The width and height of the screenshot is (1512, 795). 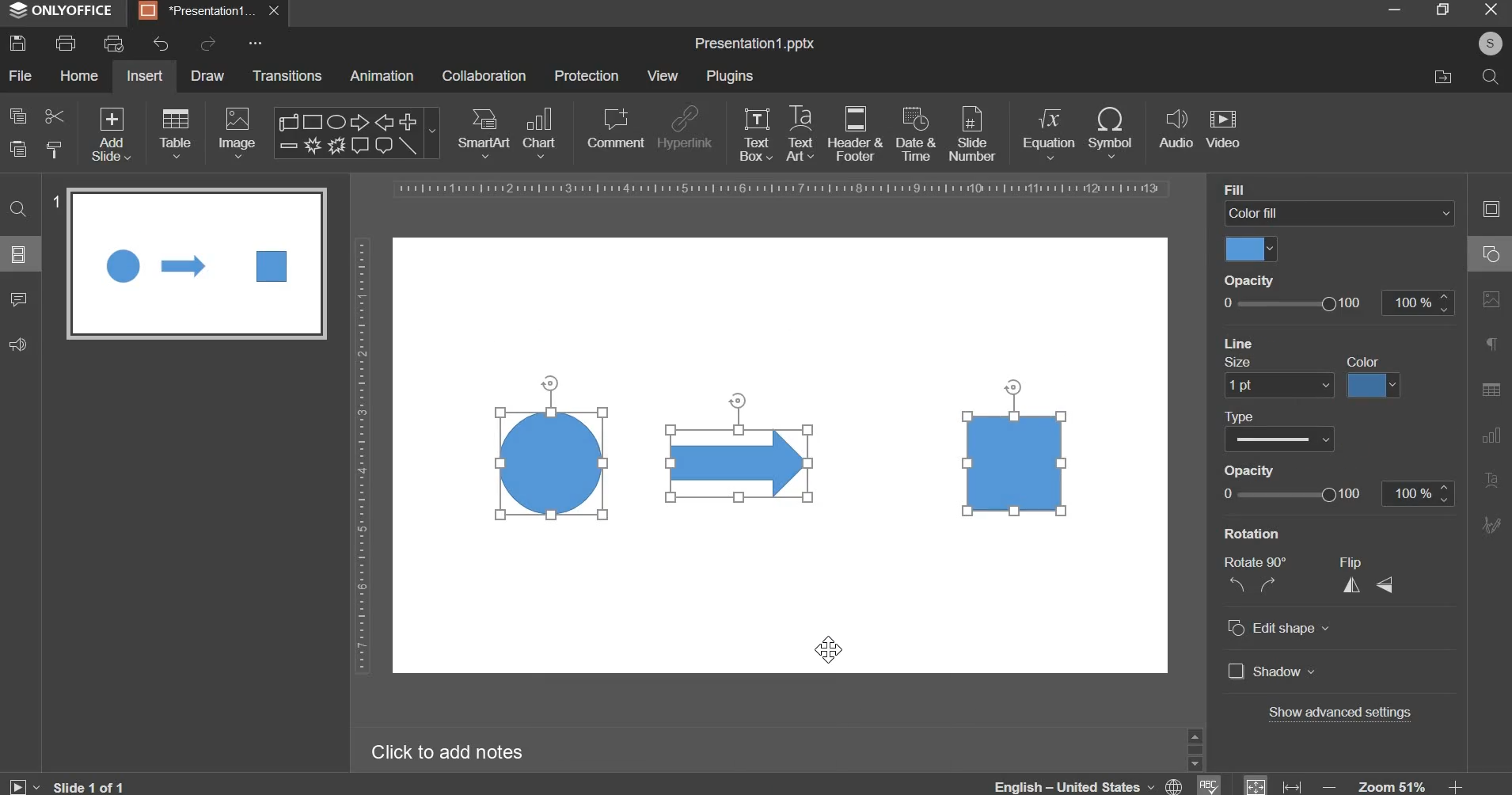 What do you see at coordinates (1278, 384) in the screenshot?
I see `line size` at bounding box center [1278, 384].